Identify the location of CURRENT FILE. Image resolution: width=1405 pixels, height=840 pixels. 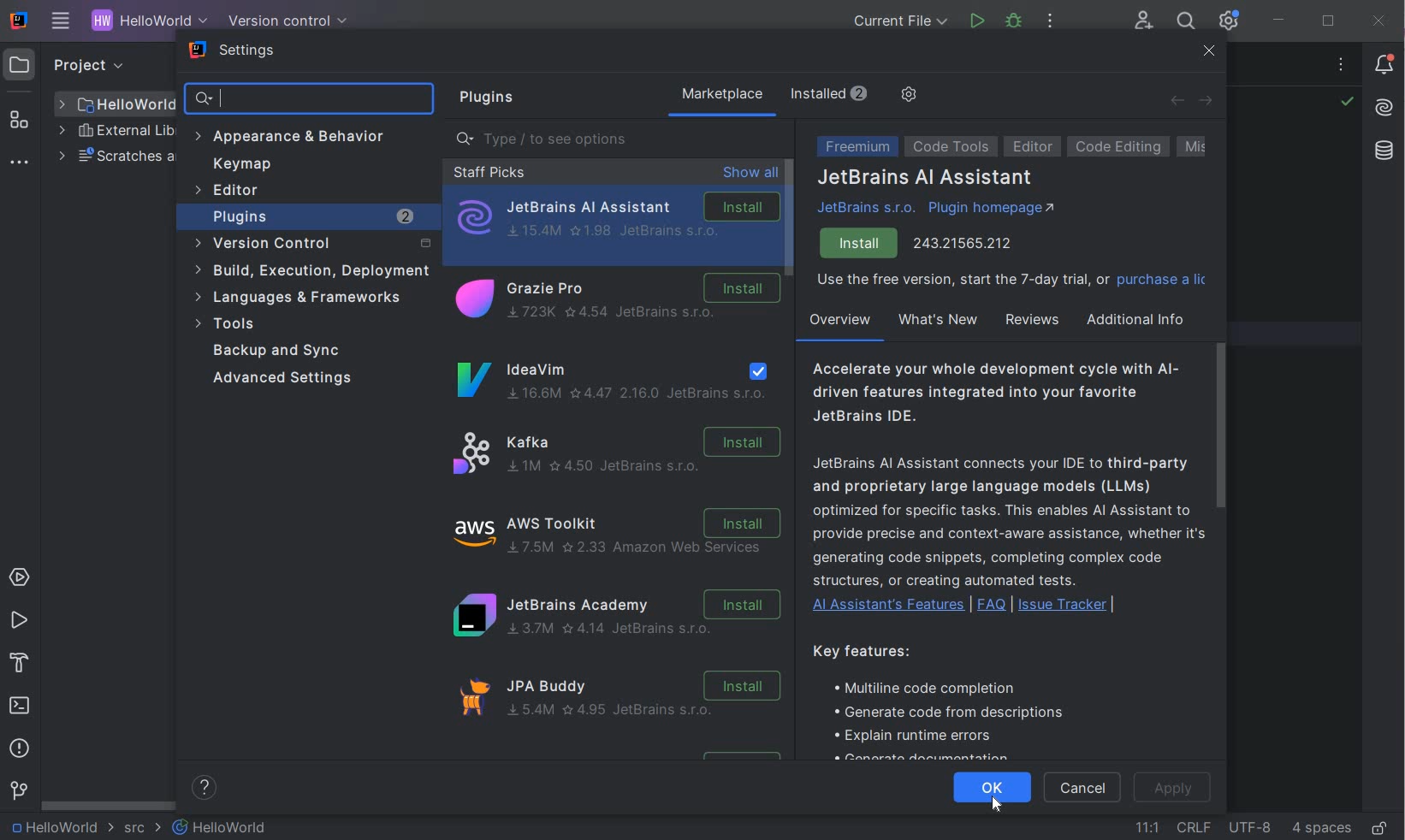
(900, 23).